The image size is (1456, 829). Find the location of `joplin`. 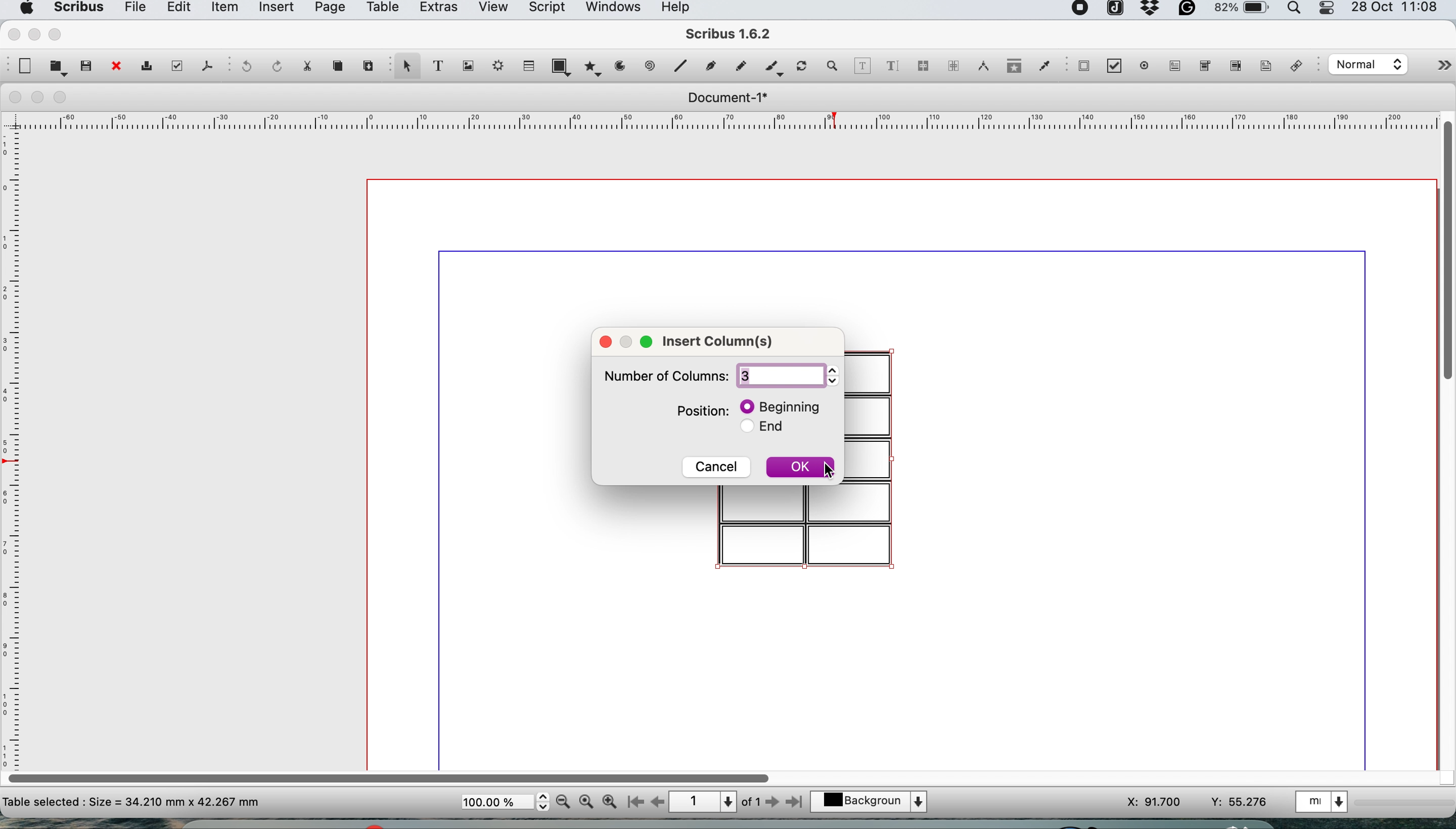

joplin is located at coordinates (1114, 10).